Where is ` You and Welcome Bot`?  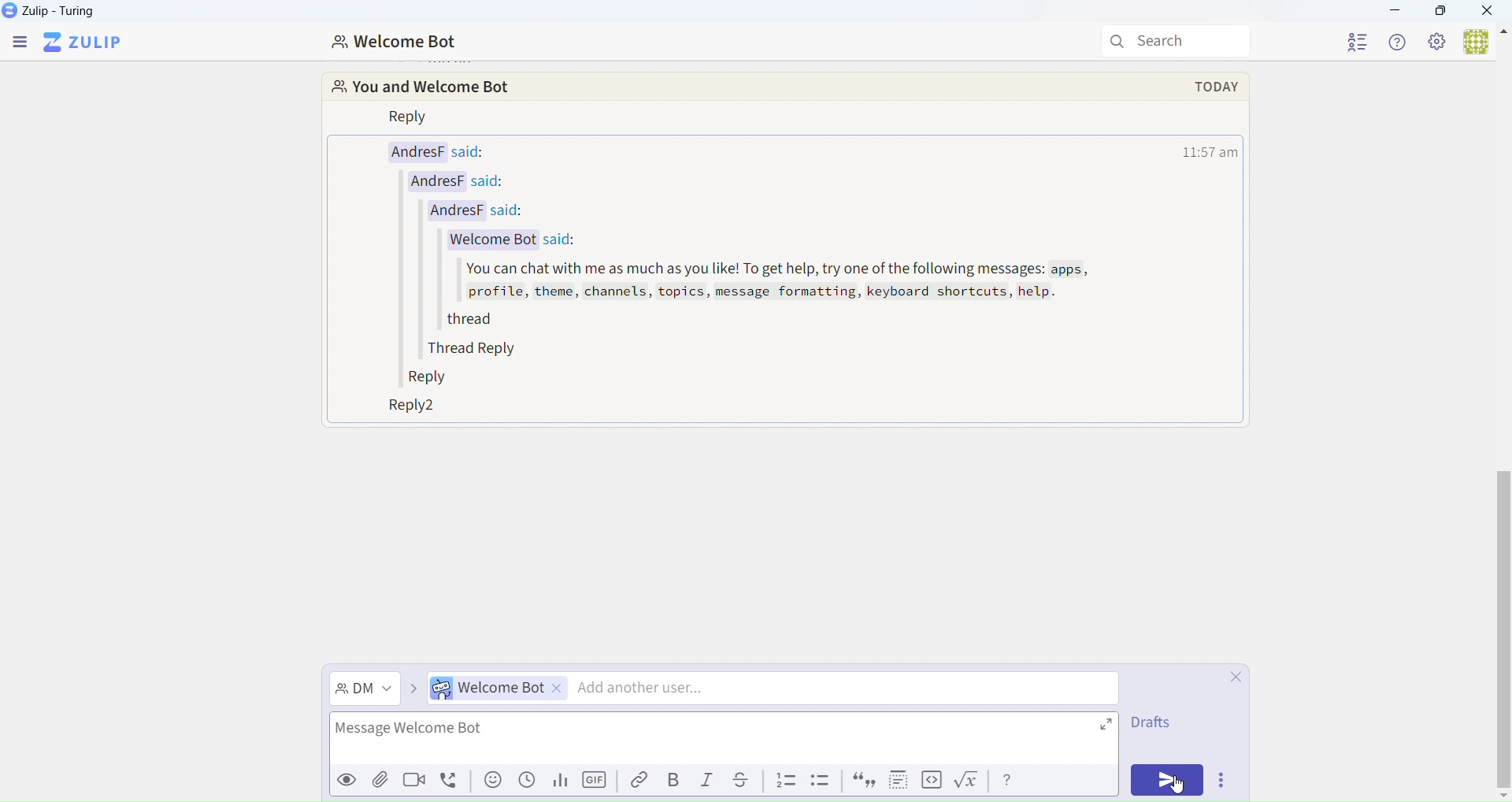
 You and Welcome Bot is located at coordinates (439, 88).